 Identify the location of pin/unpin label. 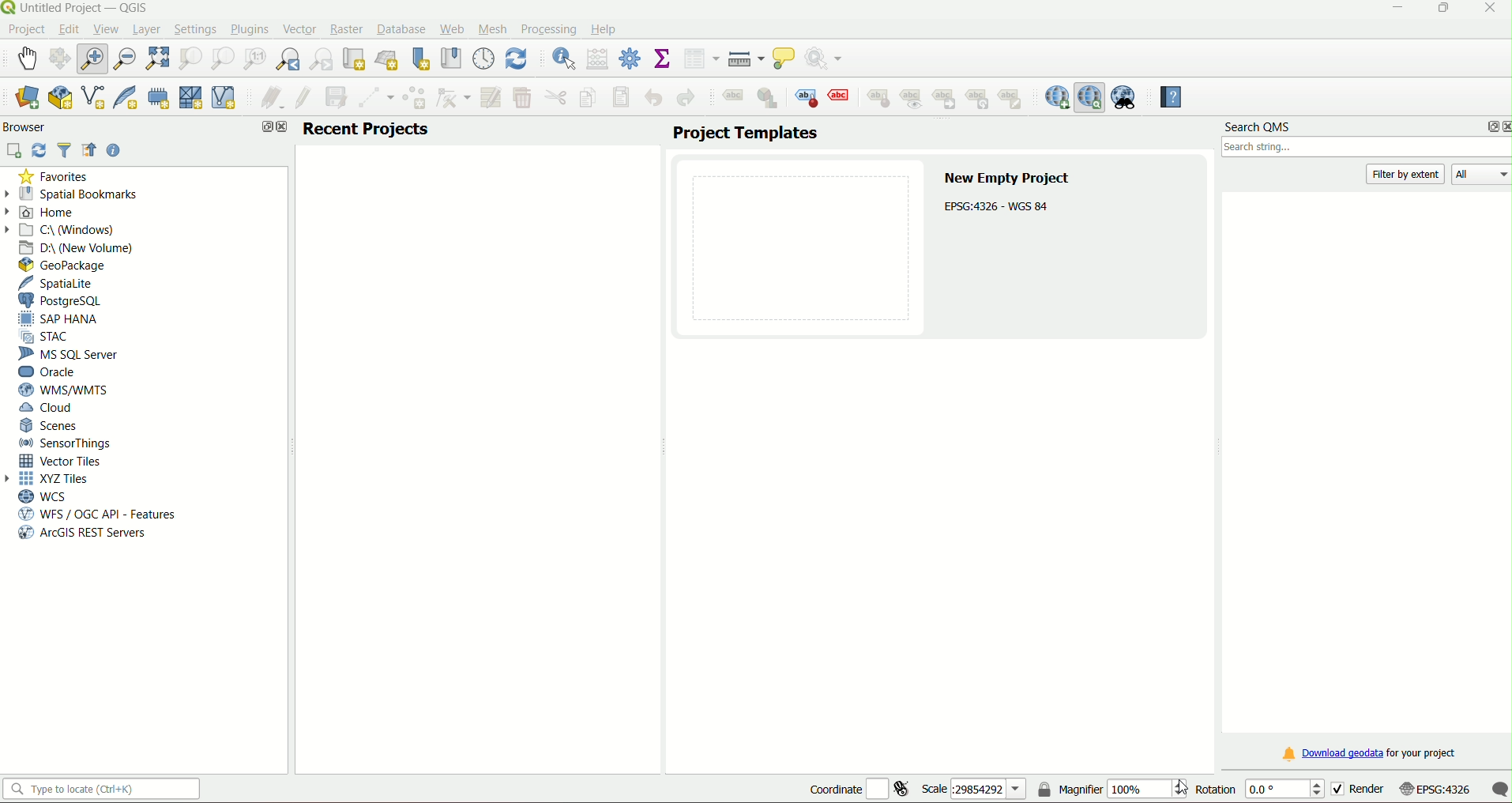
(877, 97).